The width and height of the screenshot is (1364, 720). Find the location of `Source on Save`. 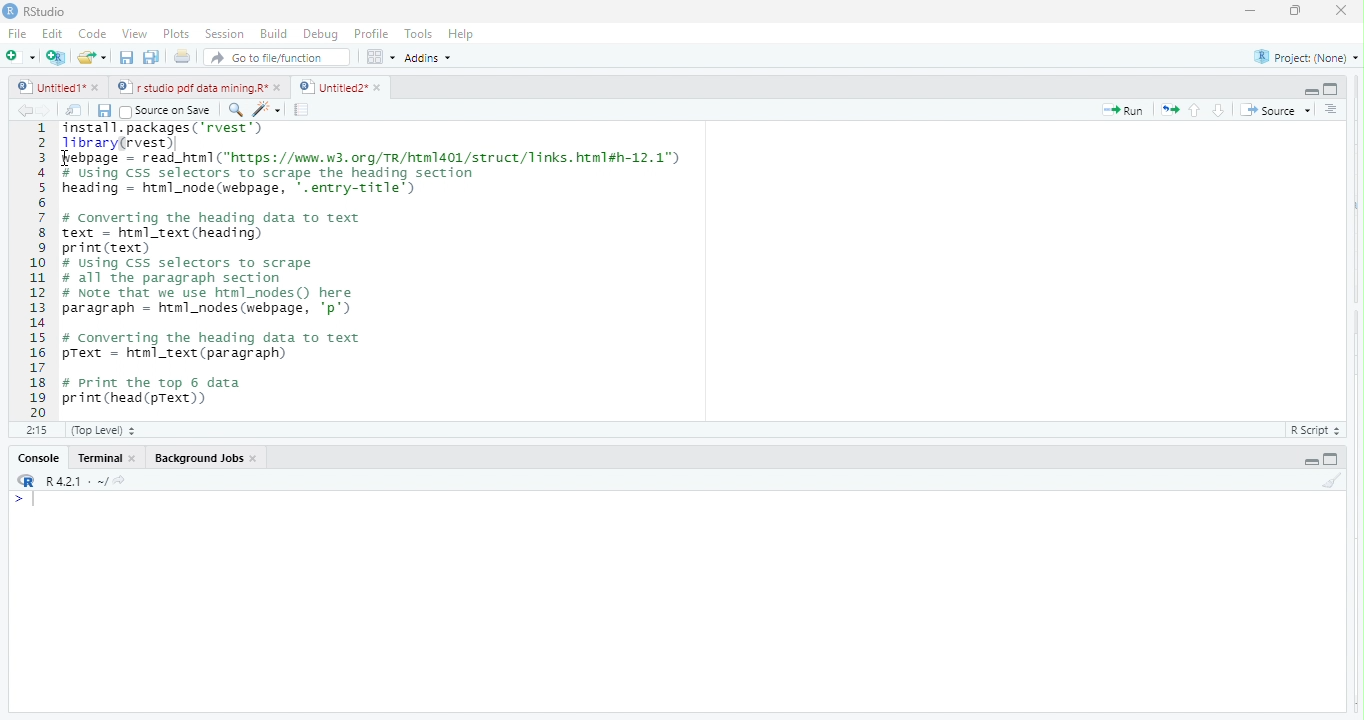

Source on Save is located at coordinates (168, 111).